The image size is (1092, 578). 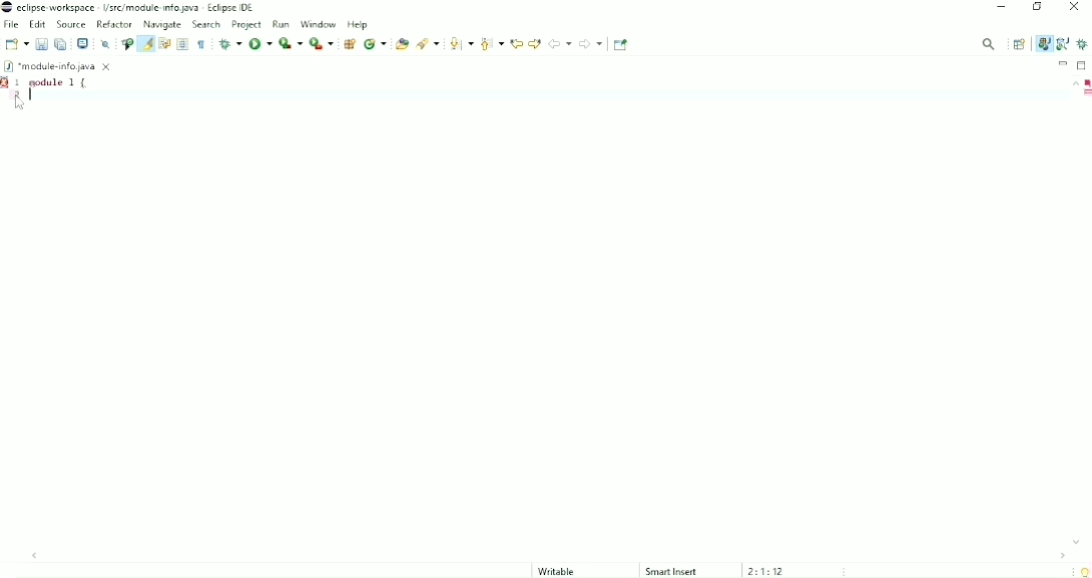 I want to click on Toggle word wrap, so click(x=164, y=44).